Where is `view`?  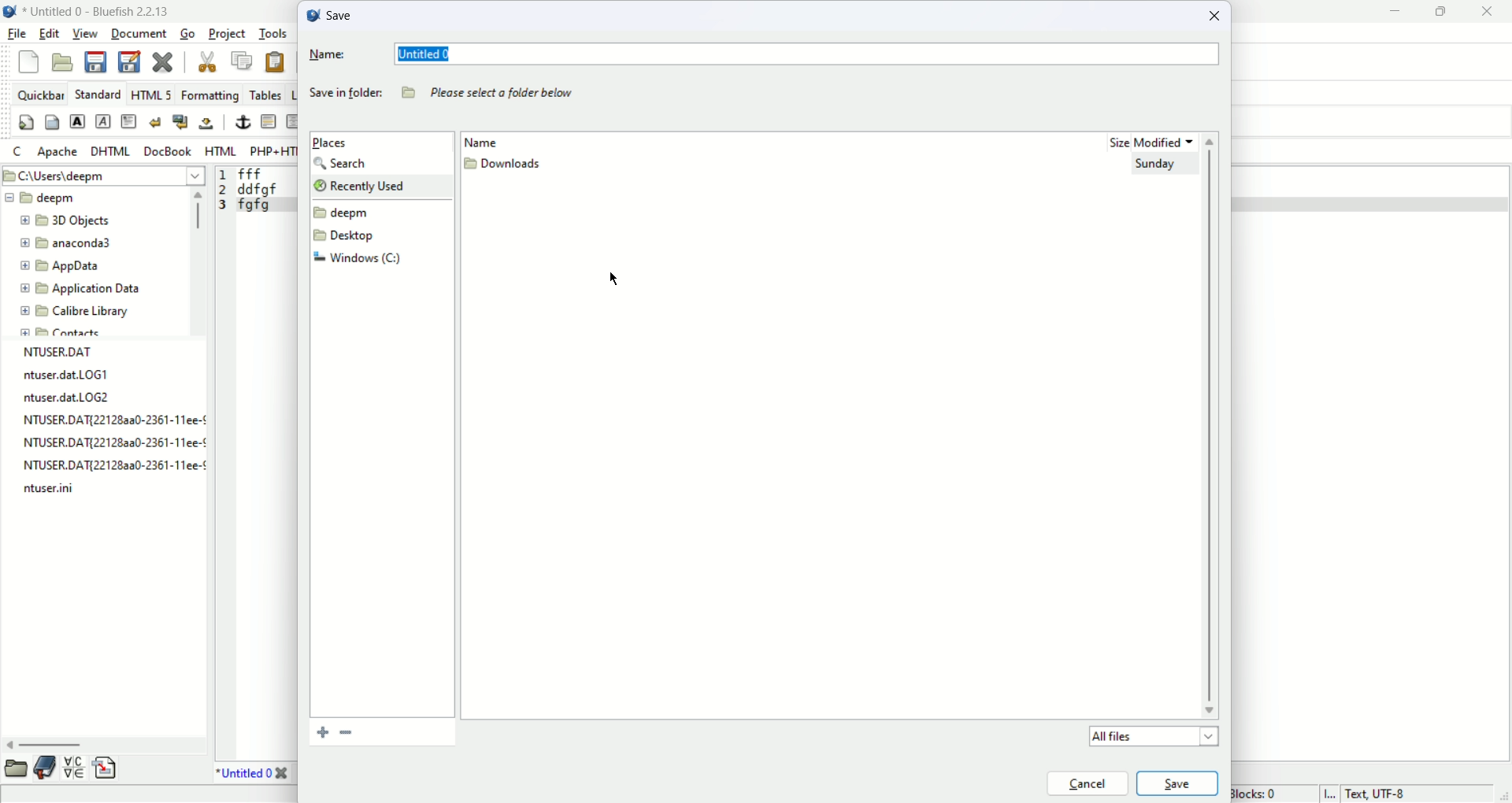
view is located at coordinates (84, 32).